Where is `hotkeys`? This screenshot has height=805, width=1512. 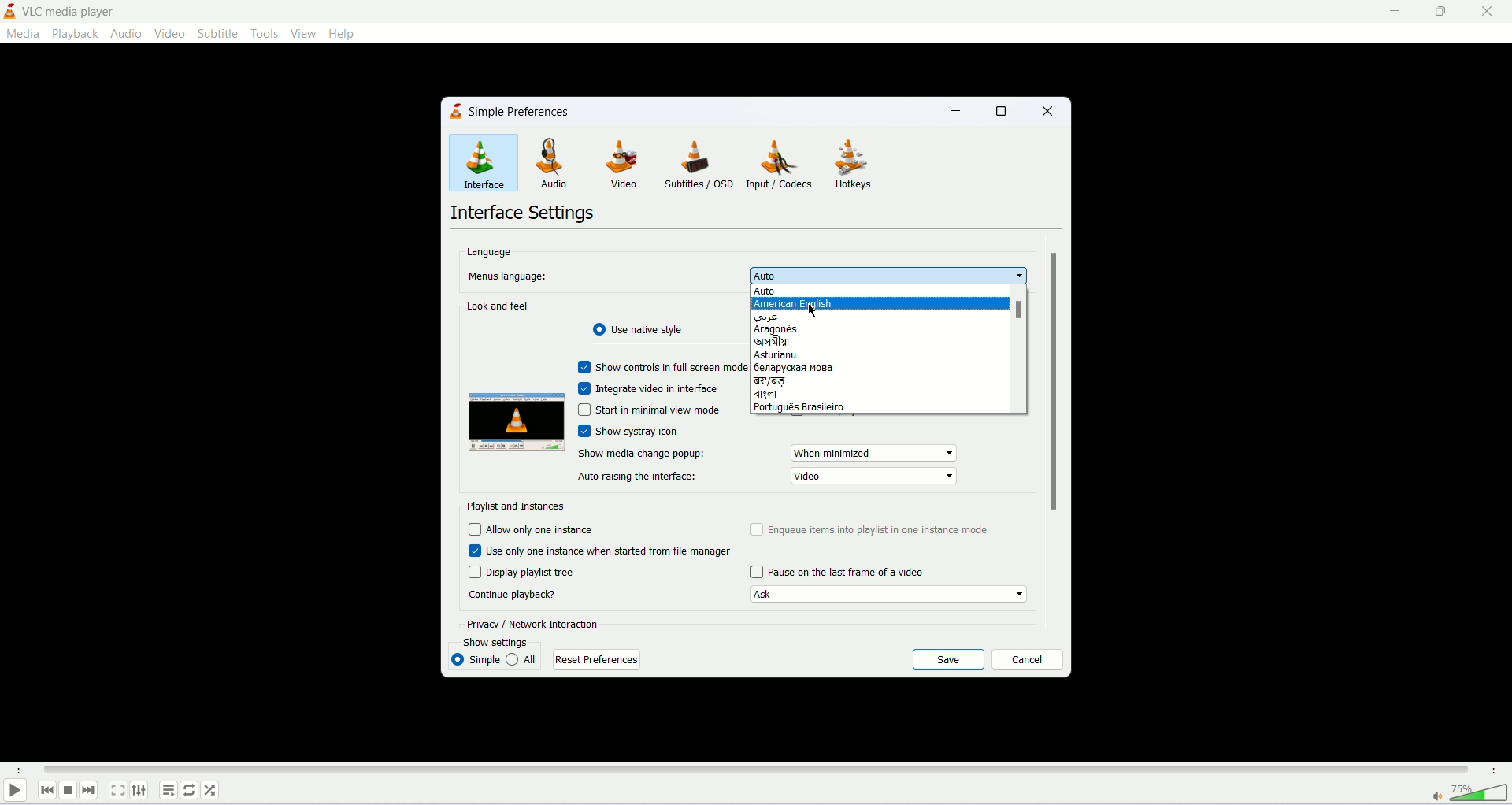 hotkeys is located at coordinates (856, 165).